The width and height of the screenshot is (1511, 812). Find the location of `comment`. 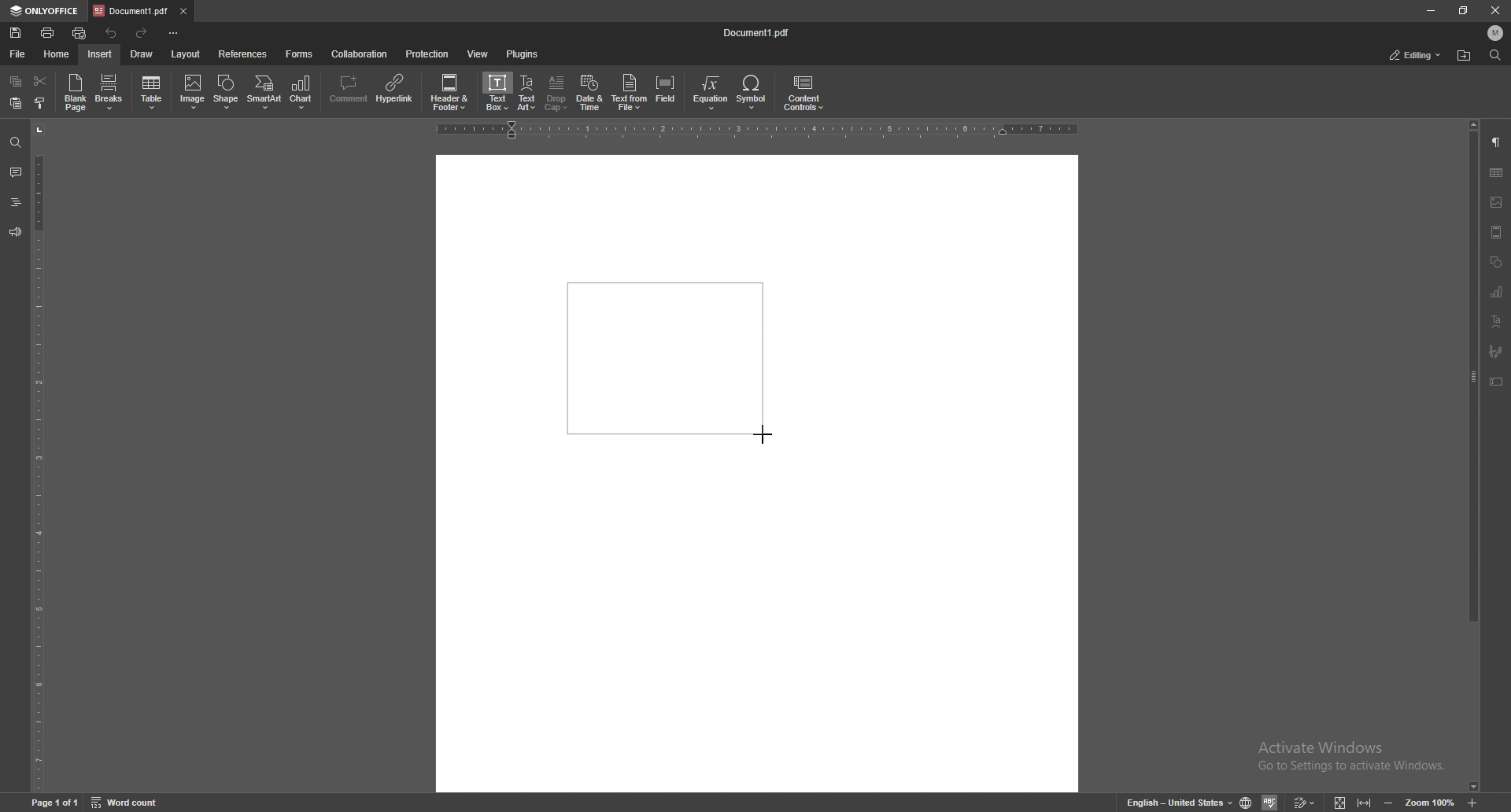

comment is located at coordinates (15, 172).